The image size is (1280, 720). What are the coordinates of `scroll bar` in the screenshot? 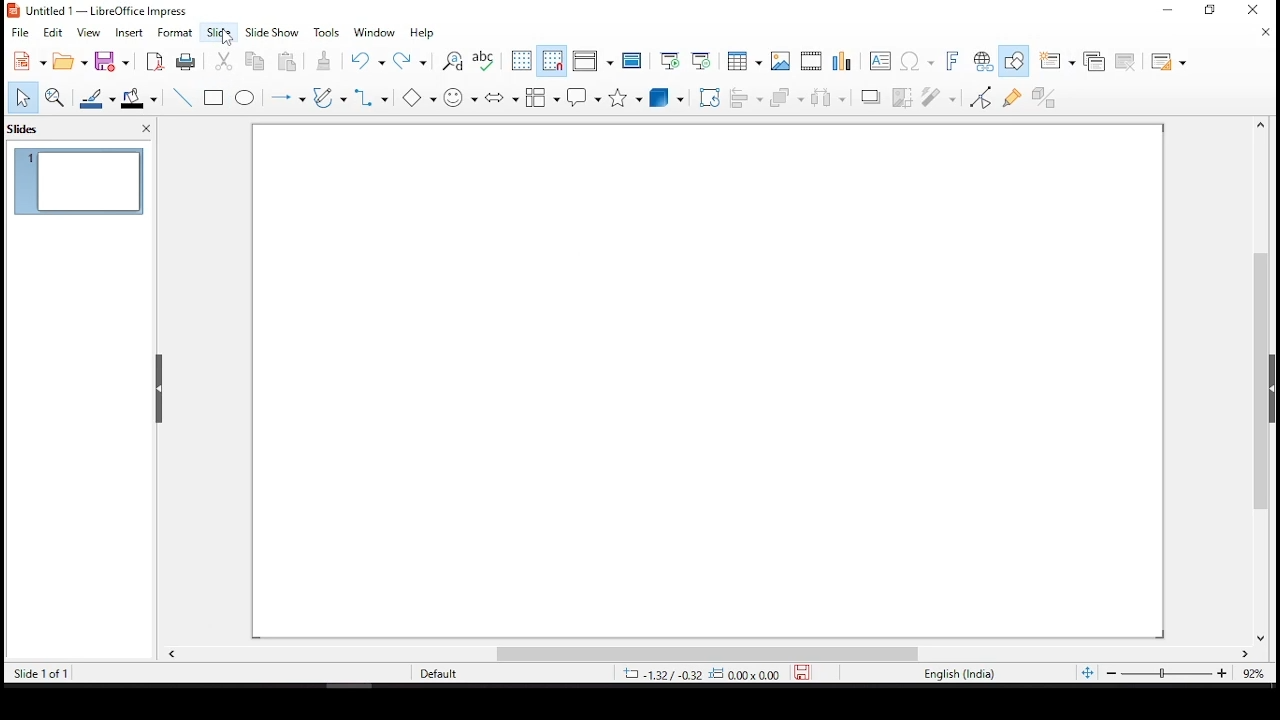 It's located at (721, 653).